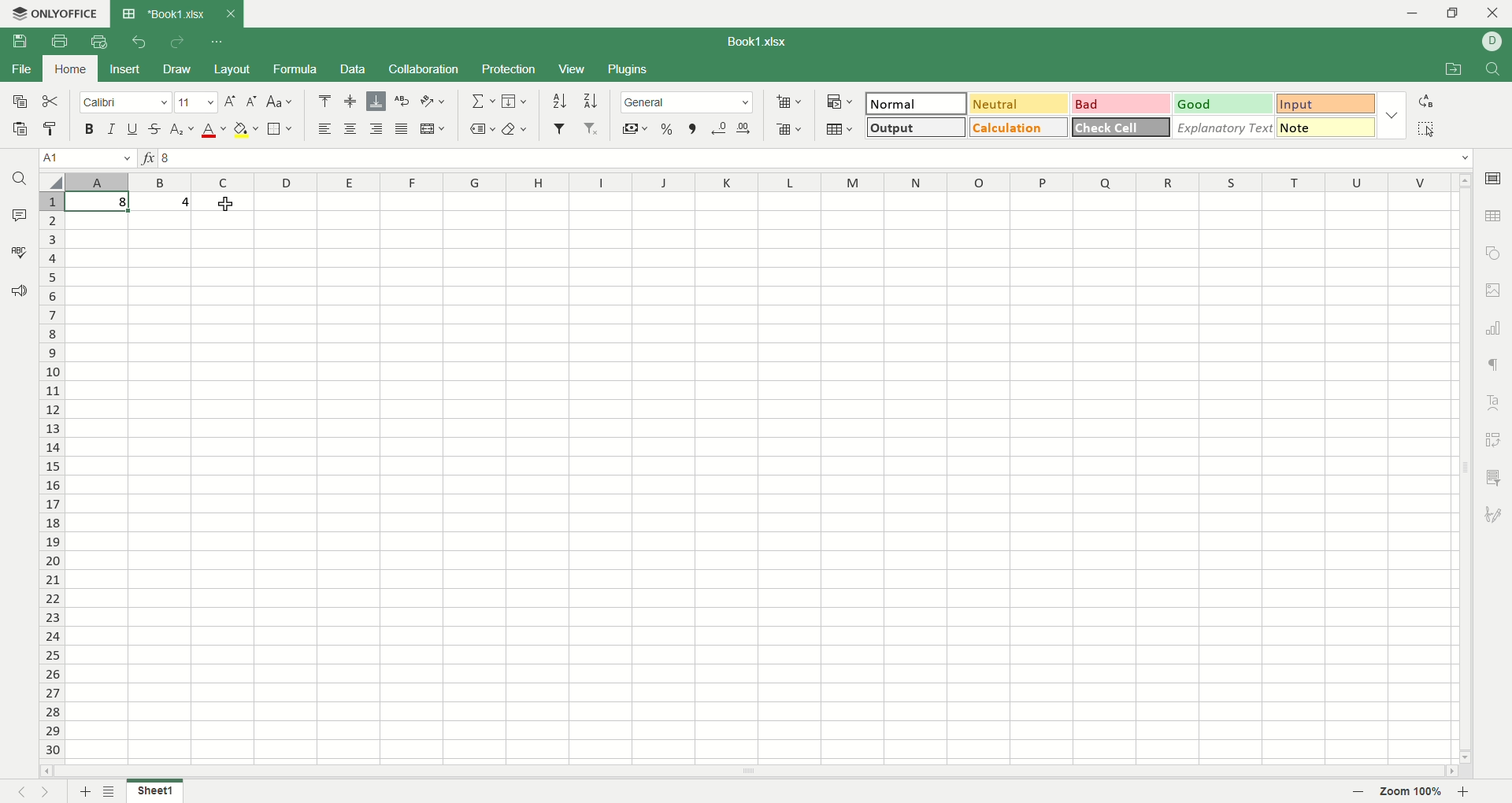  What do you see at coordinates (840, 103) in the screenshot?
I see `conditional formatting` at bounding box center [840, 103].